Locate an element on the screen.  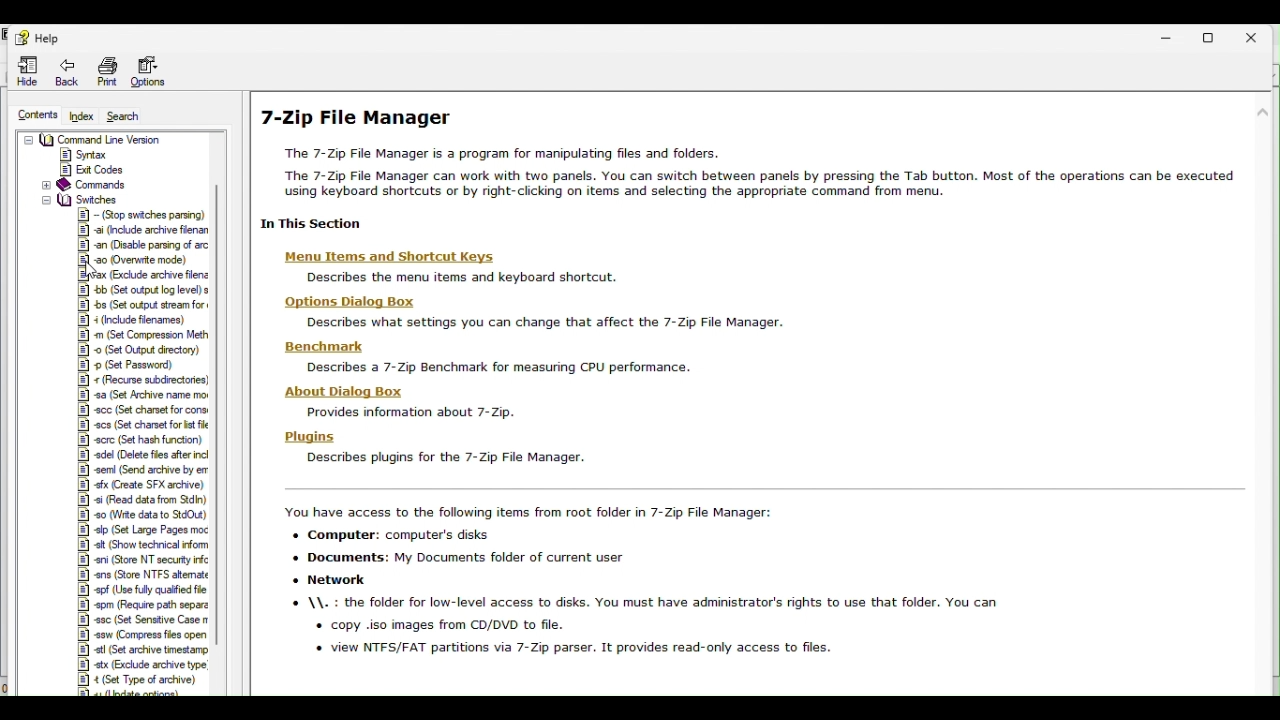
8] scrc (Set hash function) is located at coordinates (141, 440).